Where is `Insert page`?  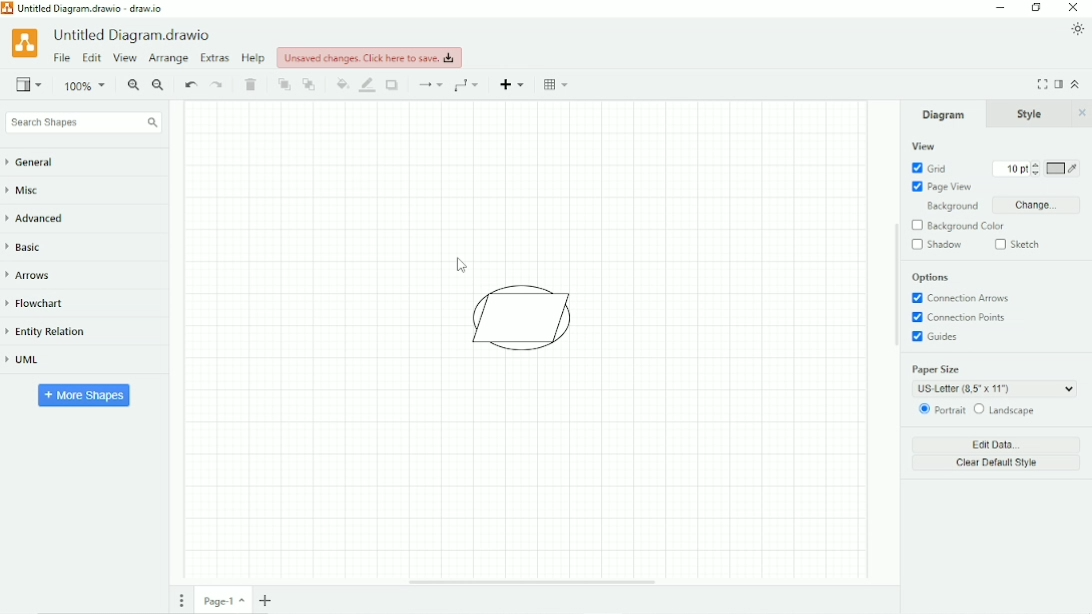 Insert page is located at coordinates (268, 600).